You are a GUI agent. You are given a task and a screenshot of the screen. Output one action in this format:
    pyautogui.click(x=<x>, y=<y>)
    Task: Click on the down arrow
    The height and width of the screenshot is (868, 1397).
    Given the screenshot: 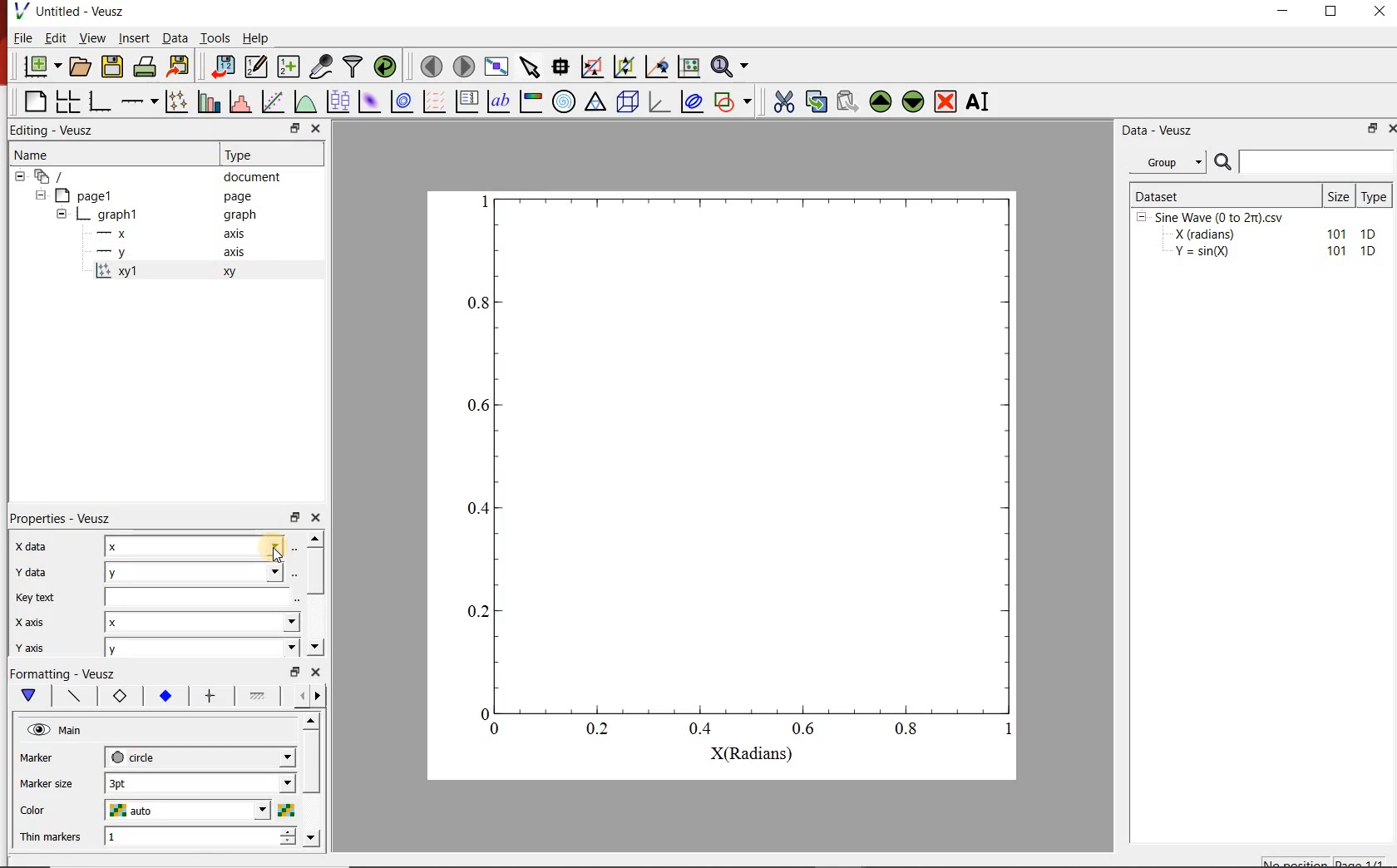 What is the action you would take?
    pyautogui.click(x=27, y=696)
    